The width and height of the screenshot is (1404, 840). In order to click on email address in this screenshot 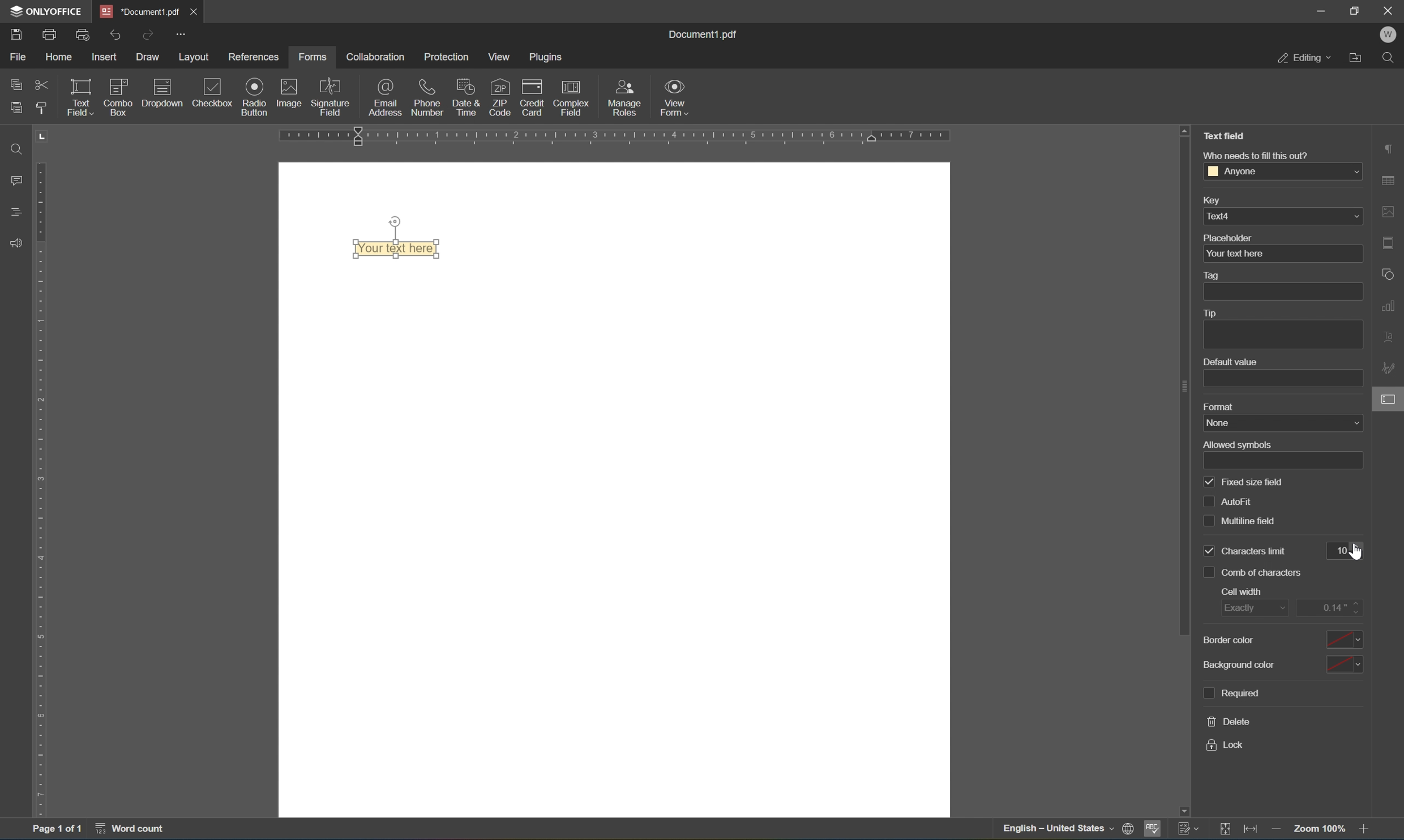, I will do `click(386, 97)`.